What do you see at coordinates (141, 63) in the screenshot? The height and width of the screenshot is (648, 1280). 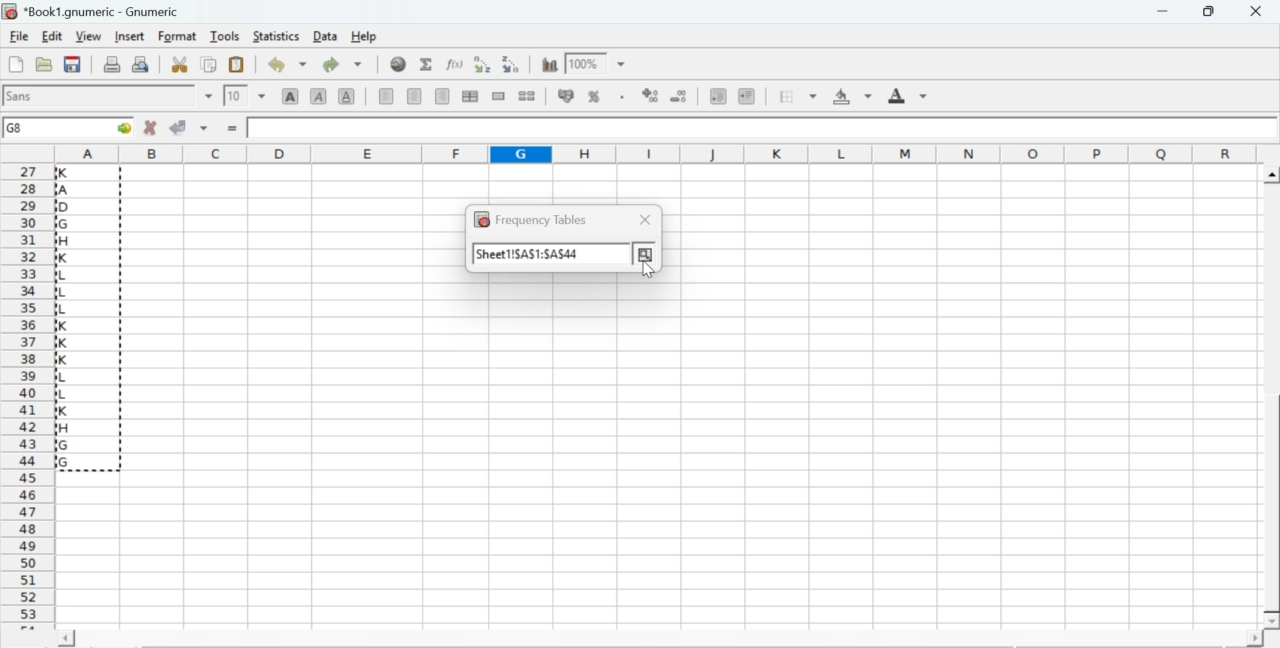 I see `print preview` at bounding box center [141, 63].